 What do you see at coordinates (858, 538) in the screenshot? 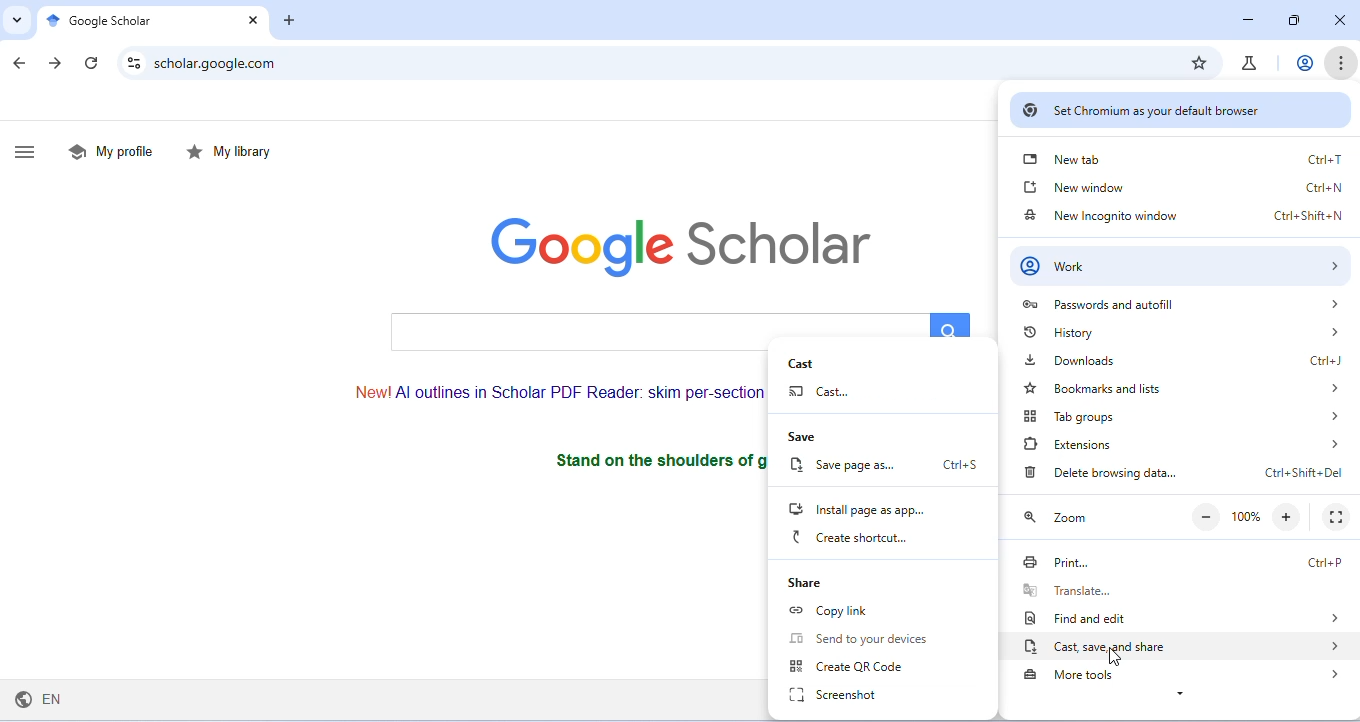
I see `create shortcut` at bounding box center [858, 538].